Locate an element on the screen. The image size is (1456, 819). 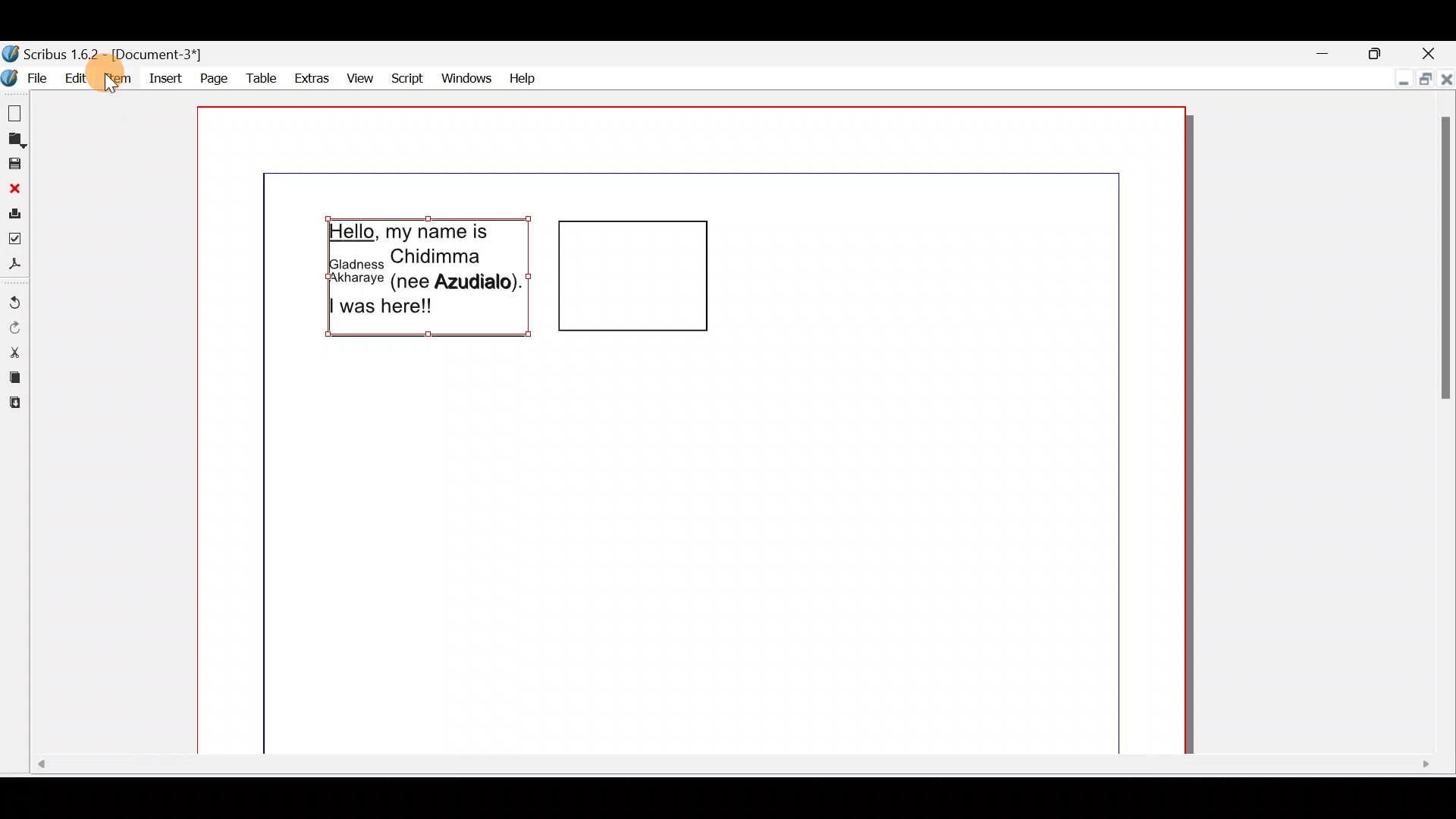
Close is located at coordinates (1429, 52).